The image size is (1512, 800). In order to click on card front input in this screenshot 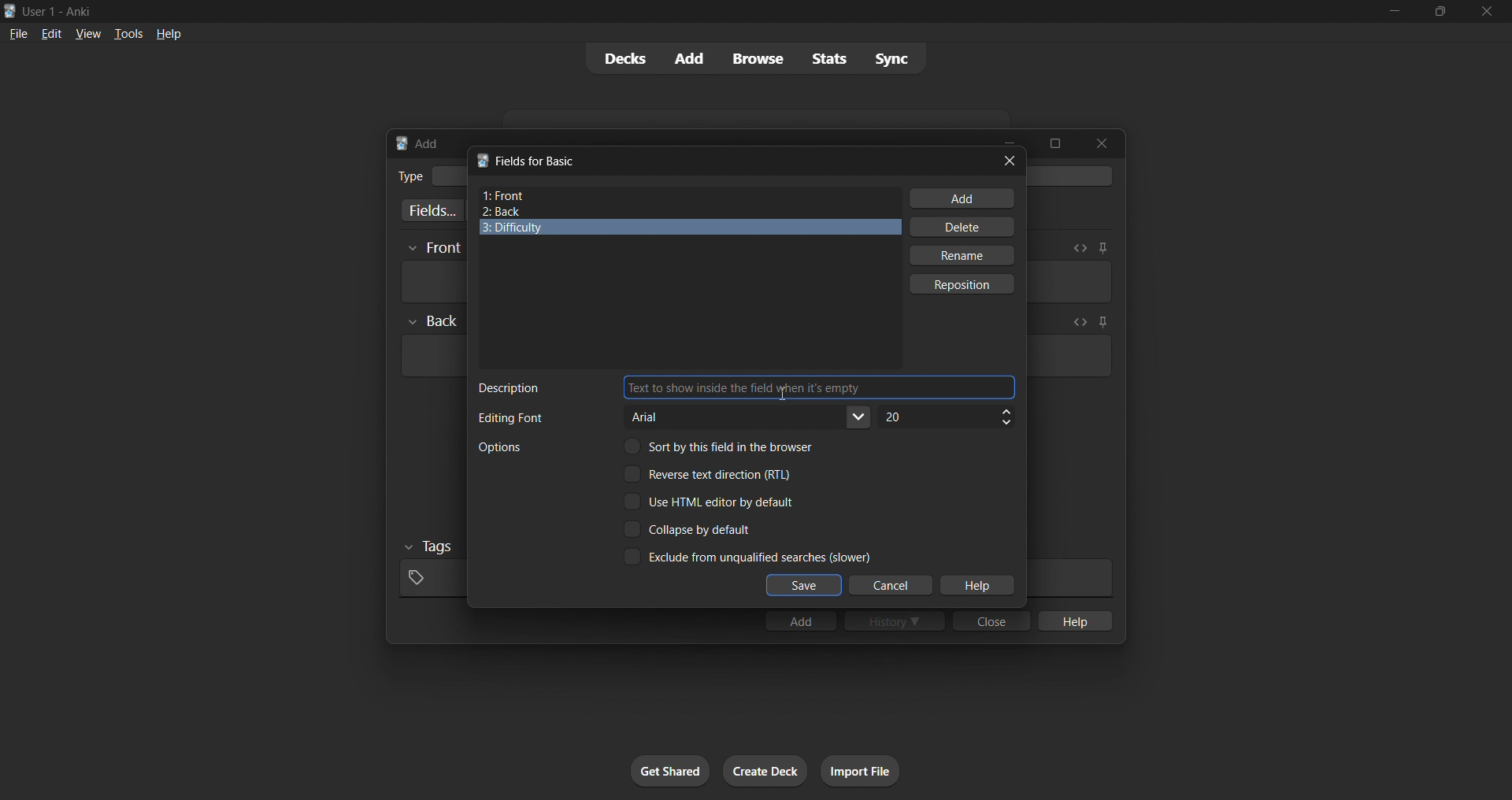, I will do `click(432, 282)`.